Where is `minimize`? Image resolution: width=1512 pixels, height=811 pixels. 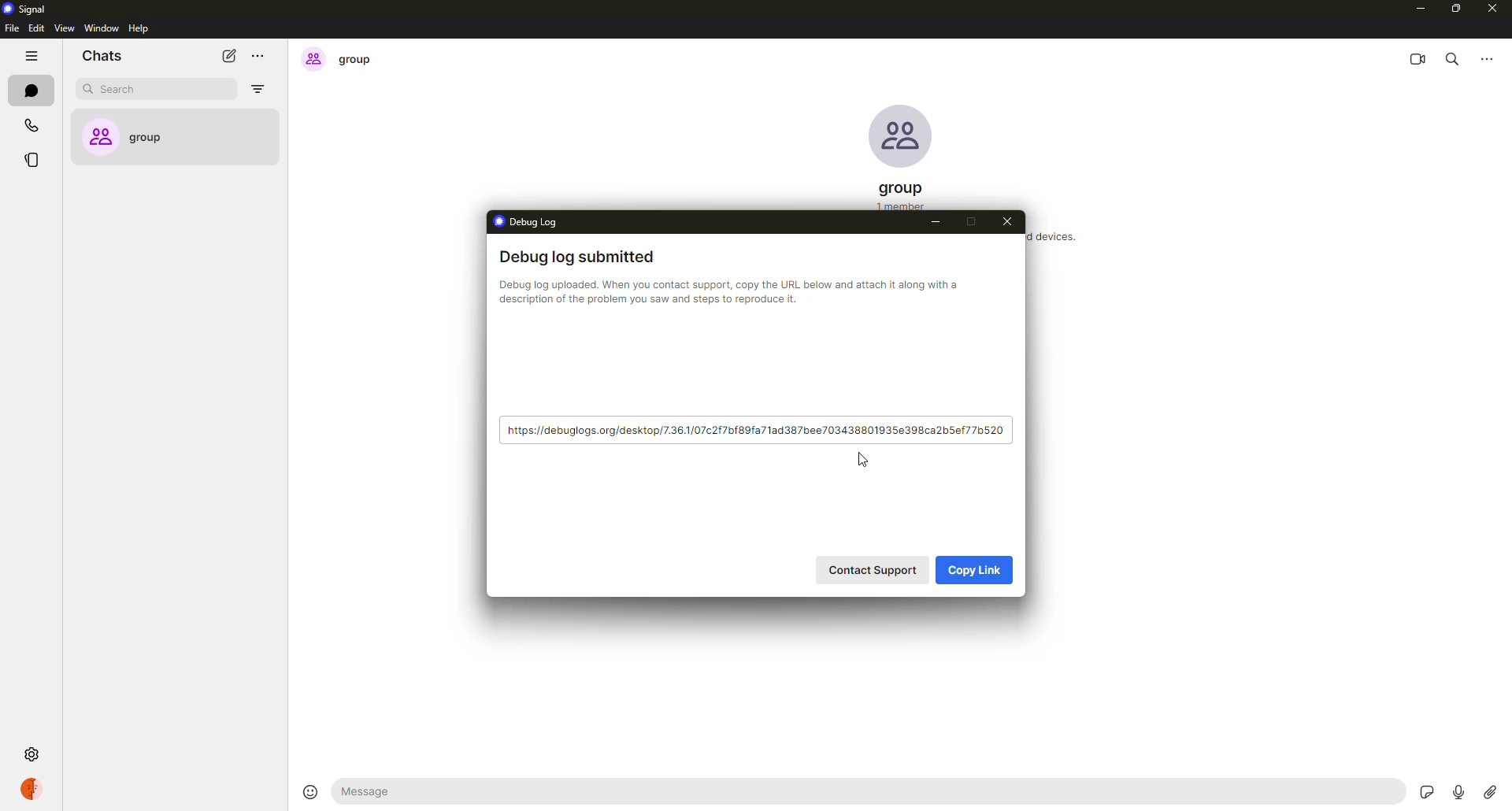 minimize is located at coordinates (1418, 9).